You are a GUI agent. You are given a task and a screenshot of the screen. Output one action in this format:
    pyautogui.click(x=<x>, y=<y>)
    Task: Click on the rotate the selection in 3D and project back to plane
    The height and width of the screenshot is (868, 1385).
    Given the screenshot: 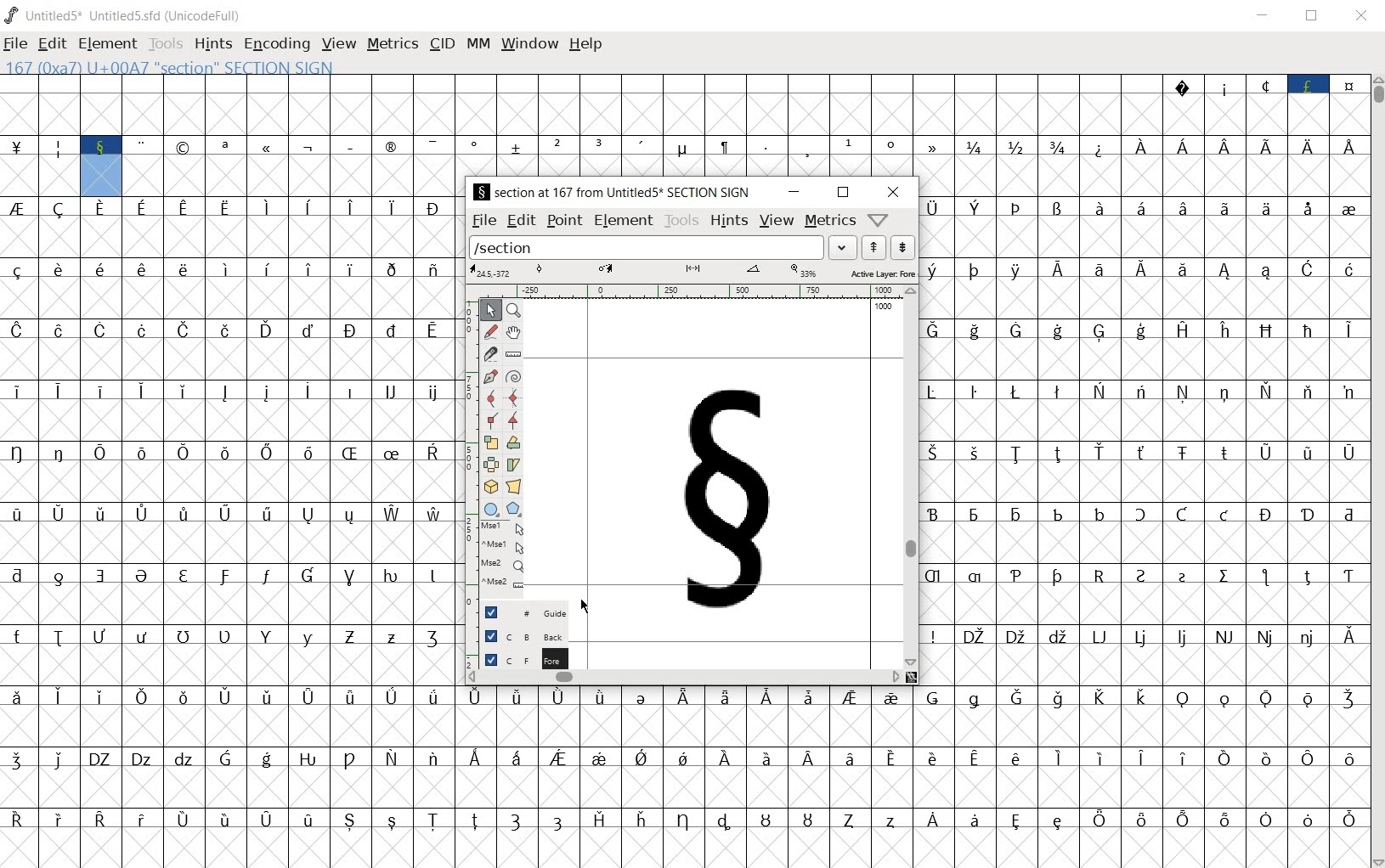 What is the action you would take?
    pyautogui.click(x=490, y=488)
    